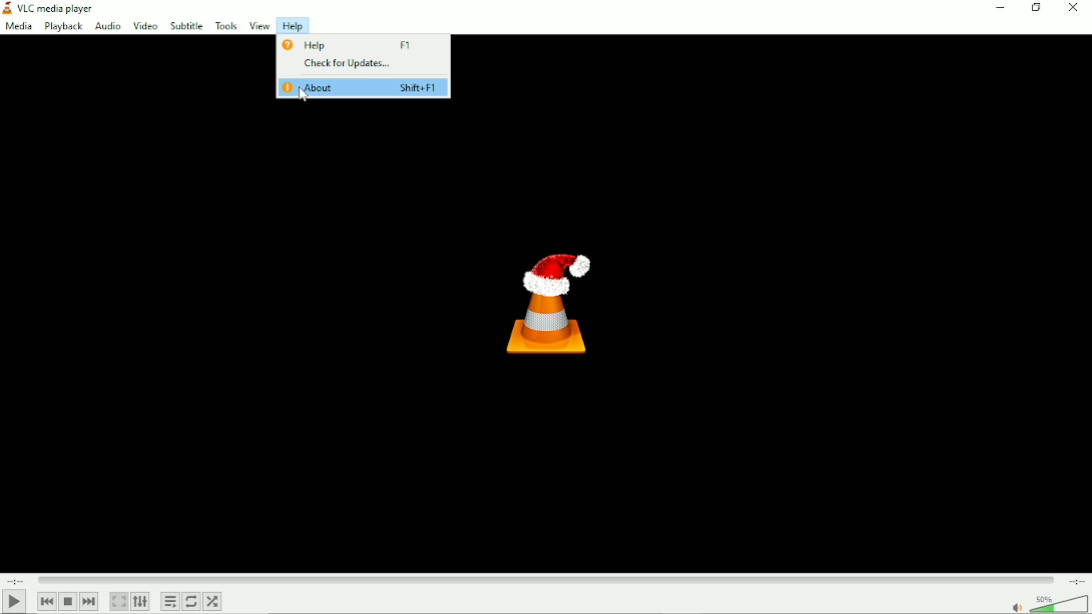  Describe the element at coordinates (13, 601) in the screenshot. I see `Play` at that location.